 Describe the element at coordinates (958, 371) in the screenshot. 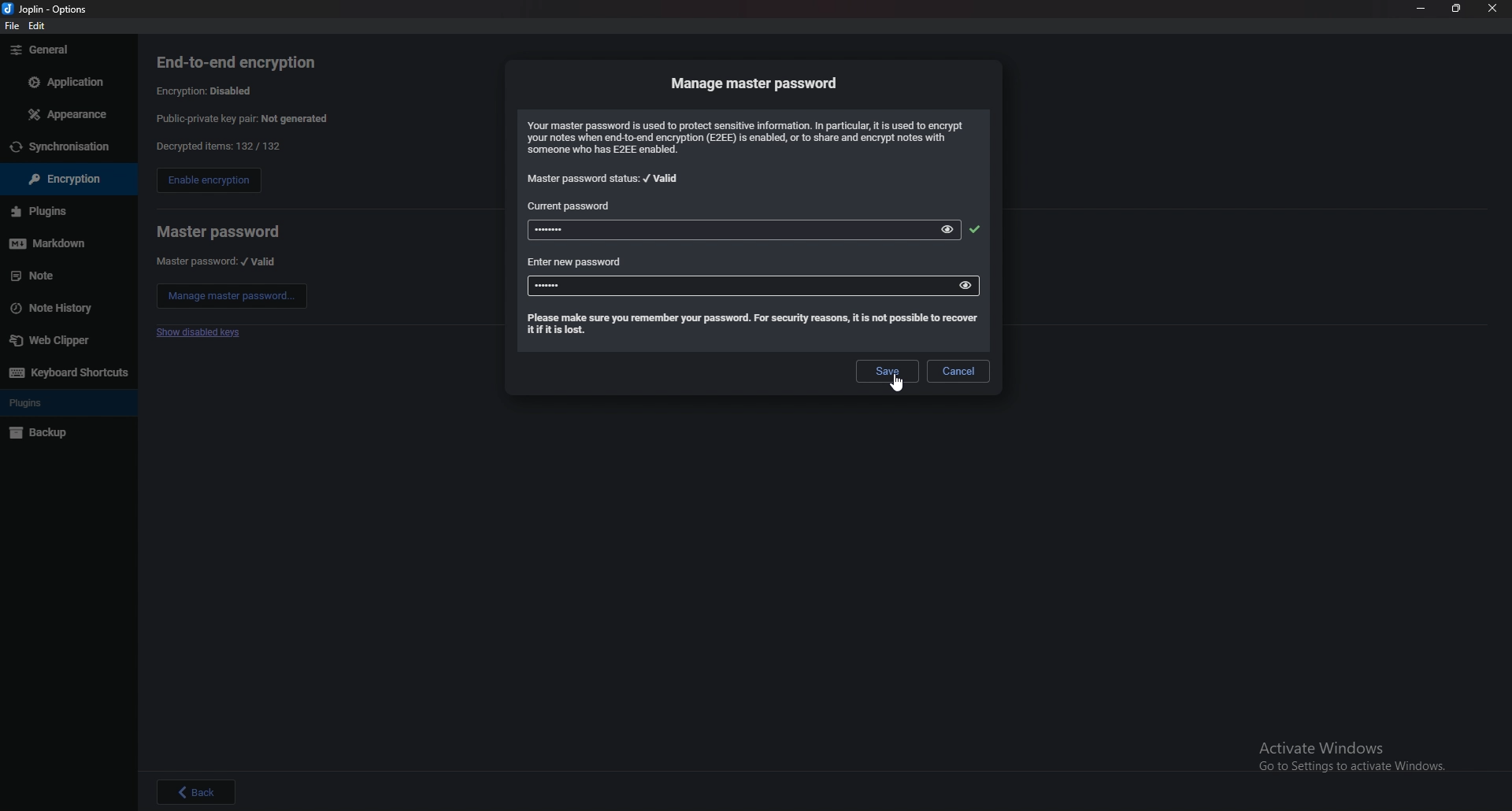

I see `cancel` at that location.